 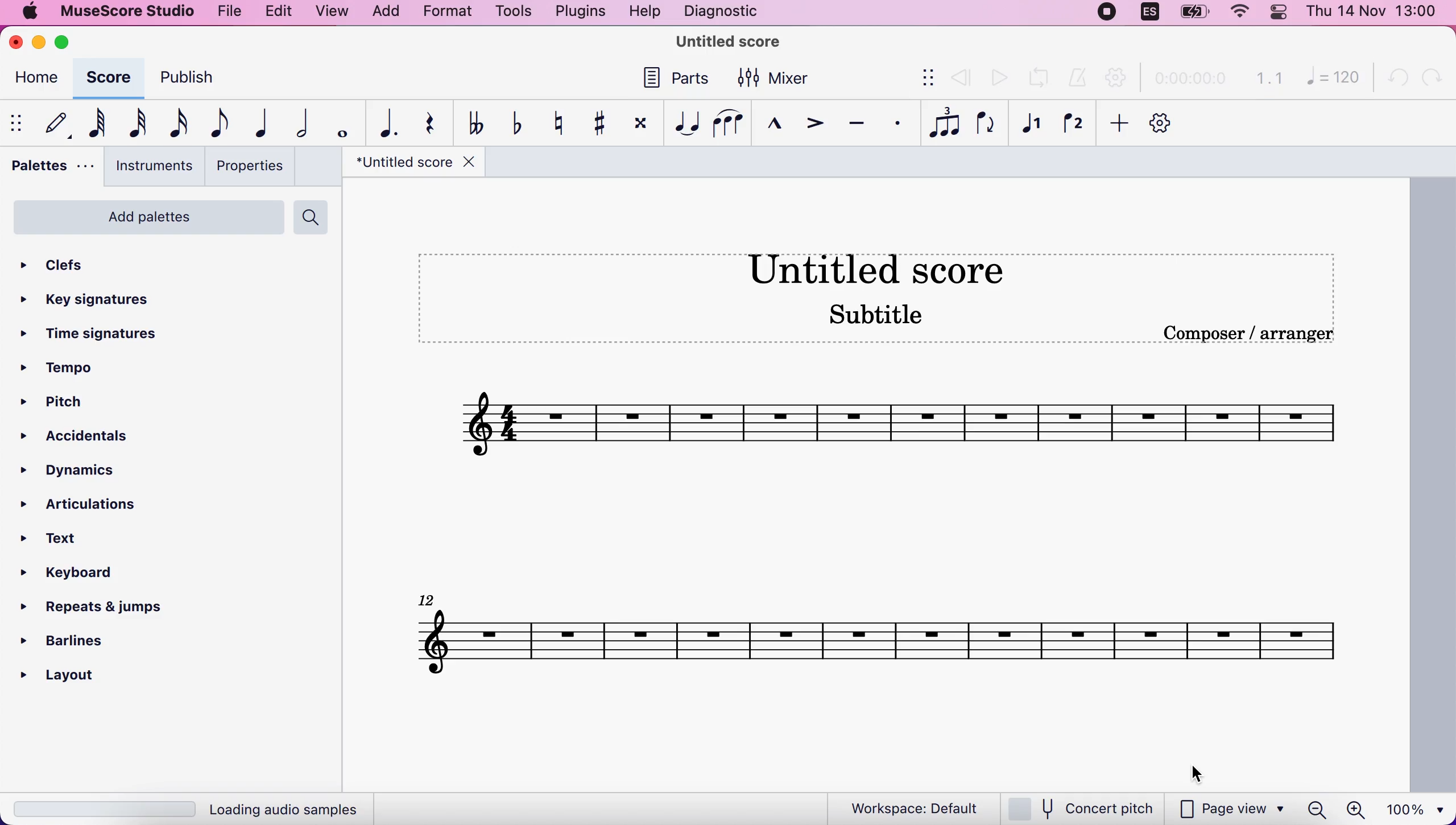 I want to click on mixer, so click(x=779, y=78).